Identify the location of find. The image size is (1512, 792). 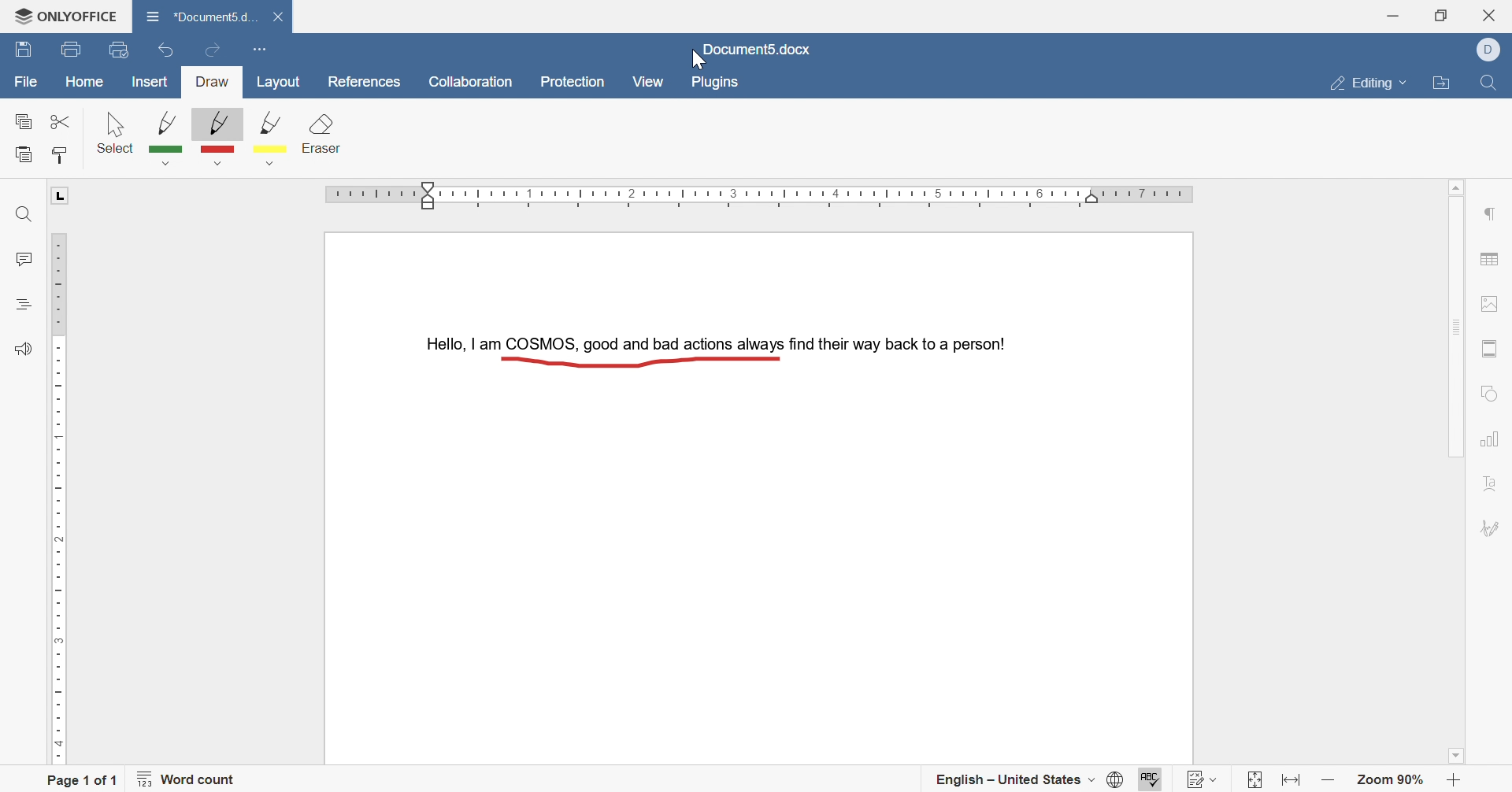
(1486, 87).